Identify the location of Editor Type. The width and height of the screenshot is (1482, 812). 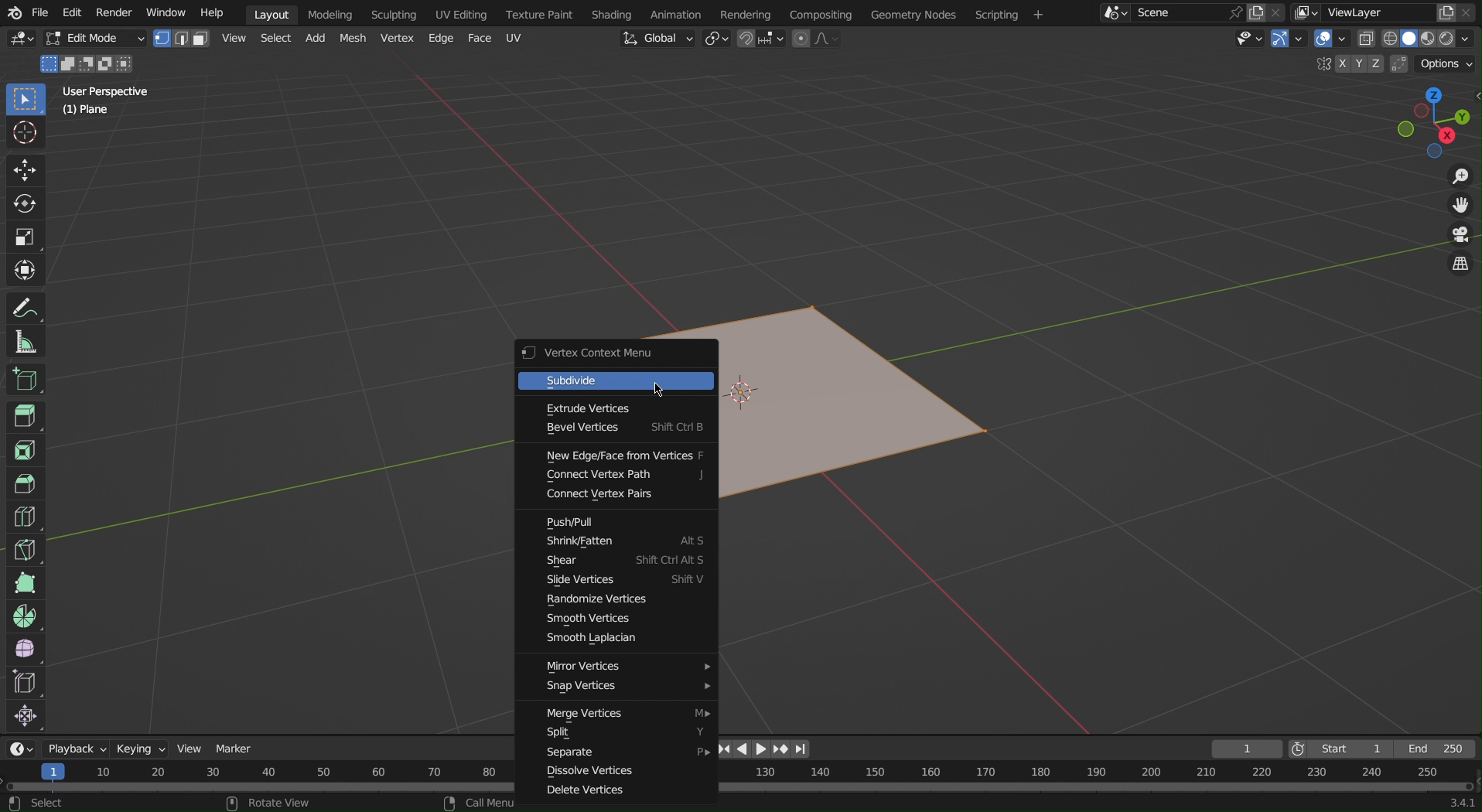
(19, 41).